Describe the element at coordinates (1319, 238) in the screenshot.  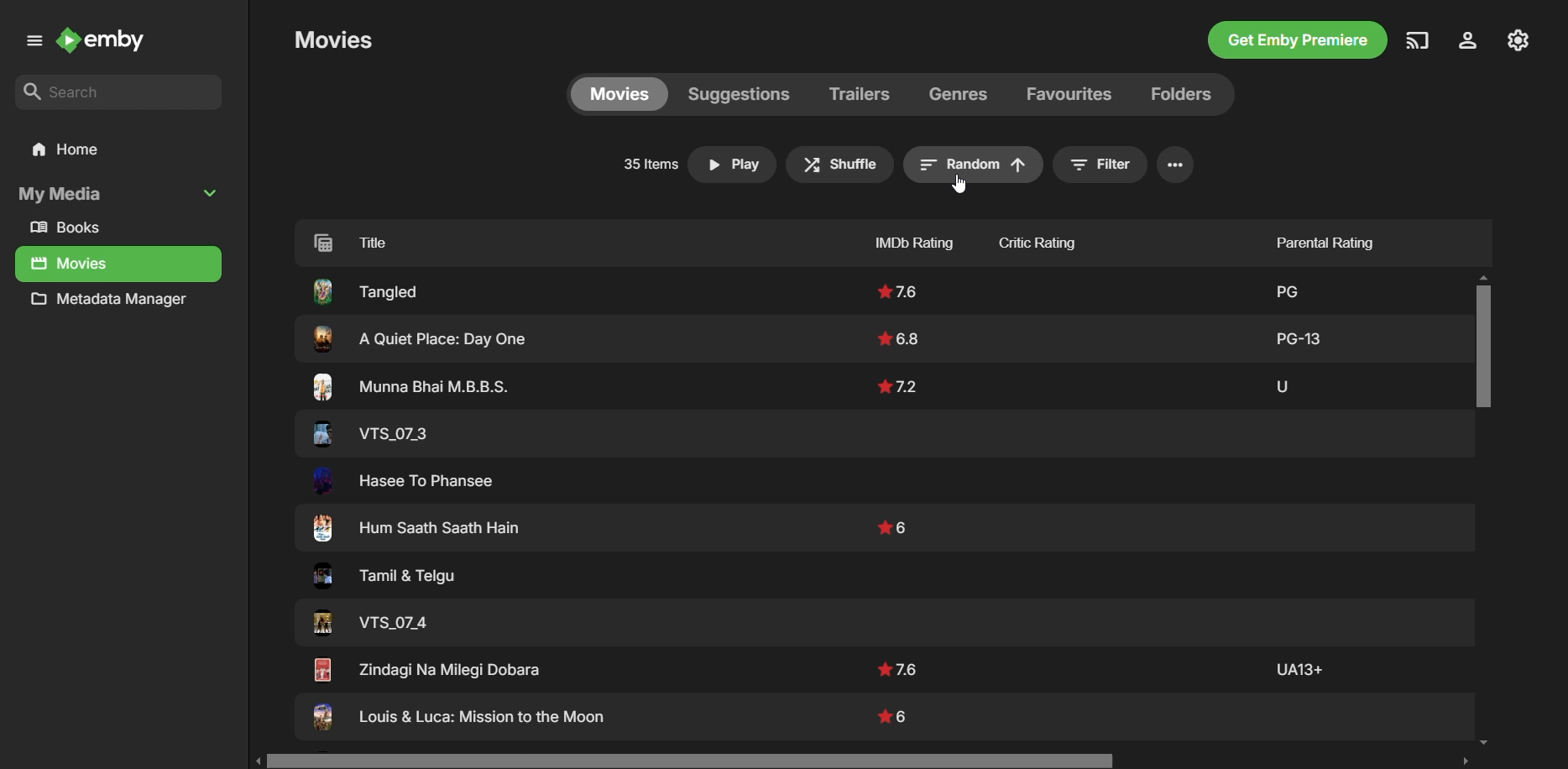
I see `Parental Rating` at that location.